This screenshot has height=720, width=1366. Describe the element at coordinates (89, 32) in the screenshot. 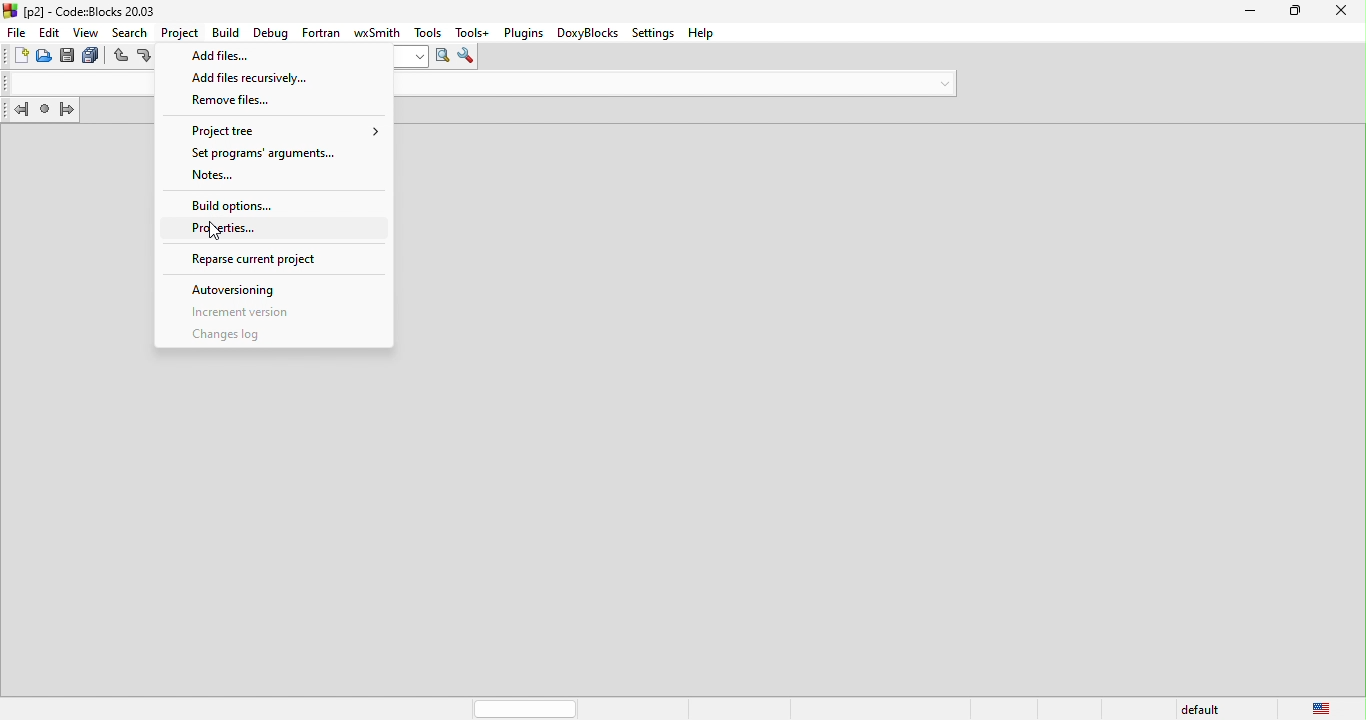

I see `view` at that location.